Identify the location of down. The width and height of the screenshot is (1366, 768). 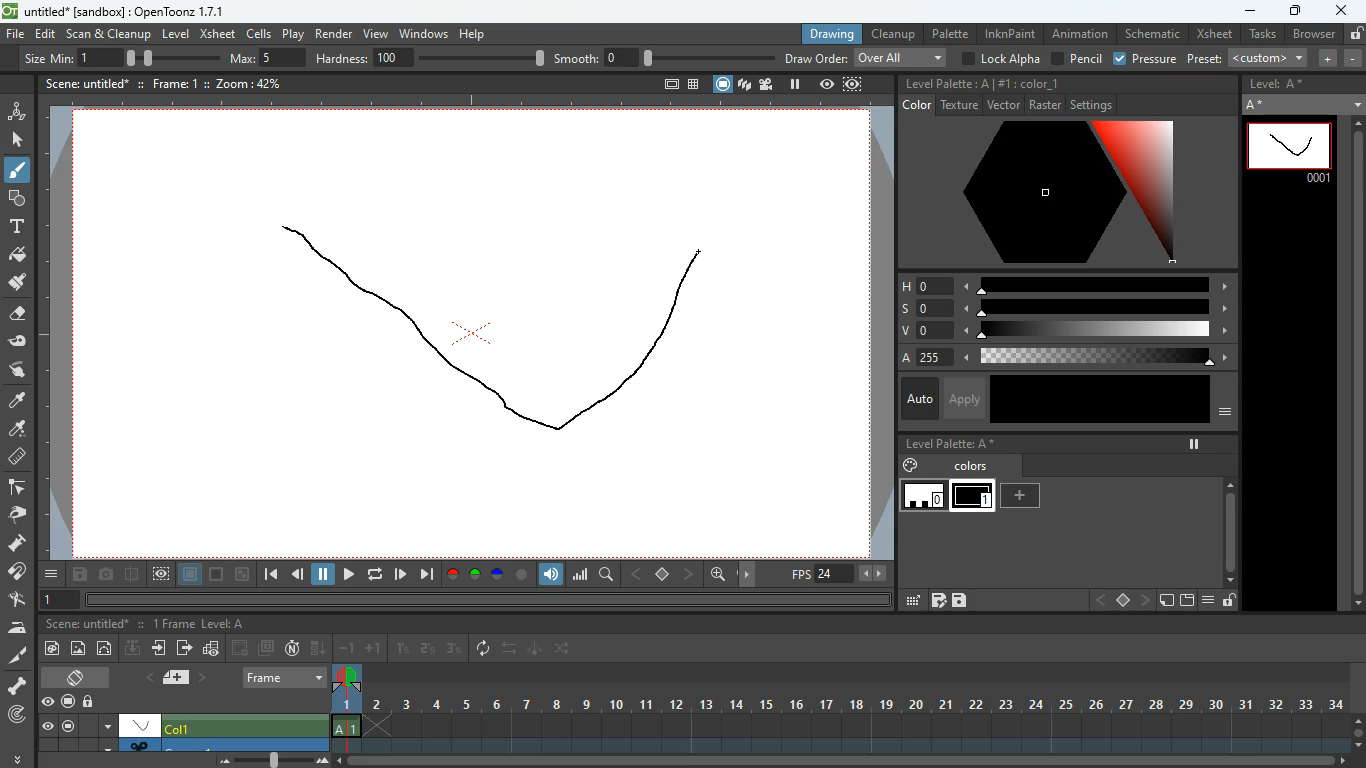
(133, 647).